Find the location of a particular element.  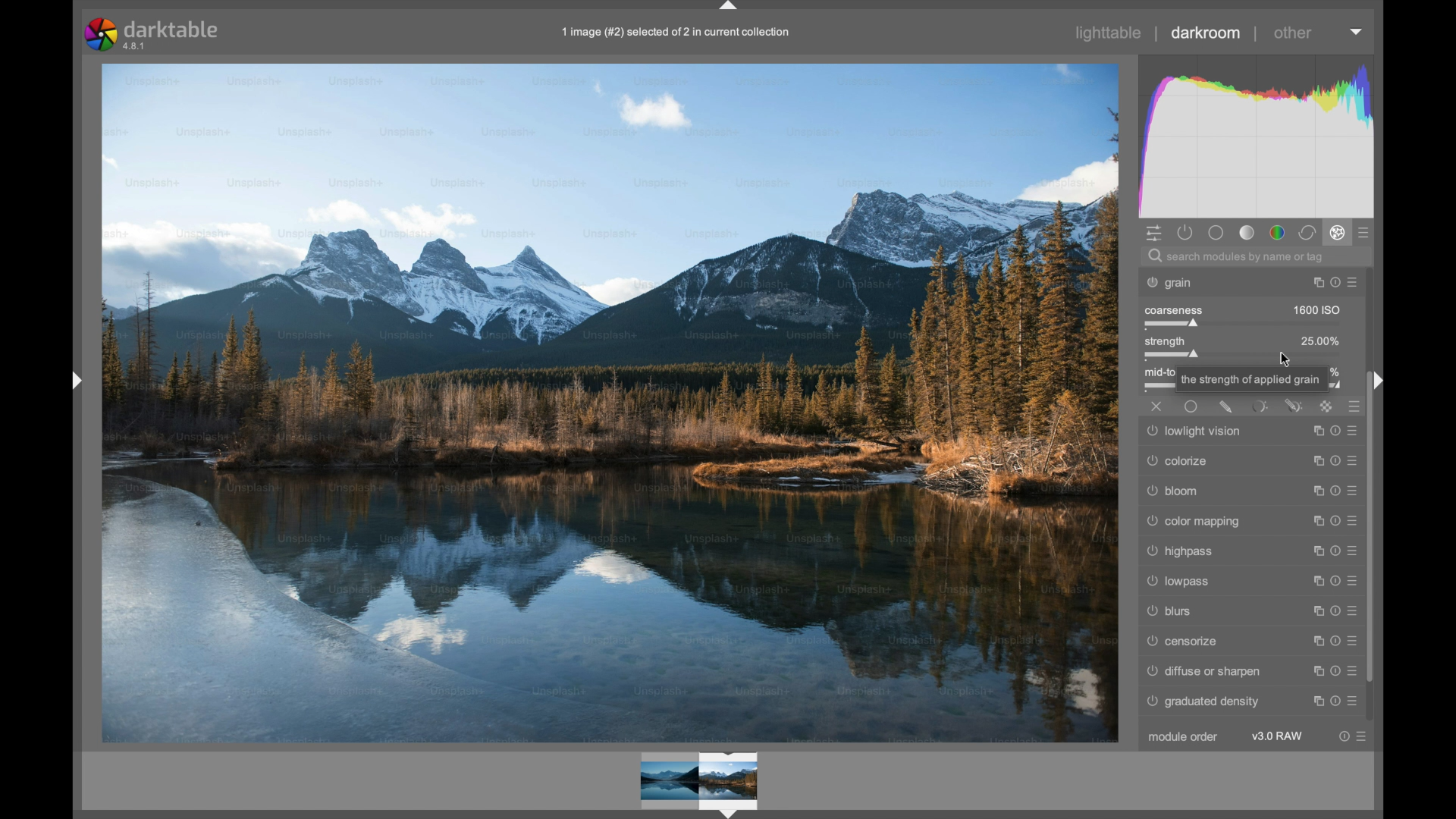

base is located at coordinates (1215, 233).